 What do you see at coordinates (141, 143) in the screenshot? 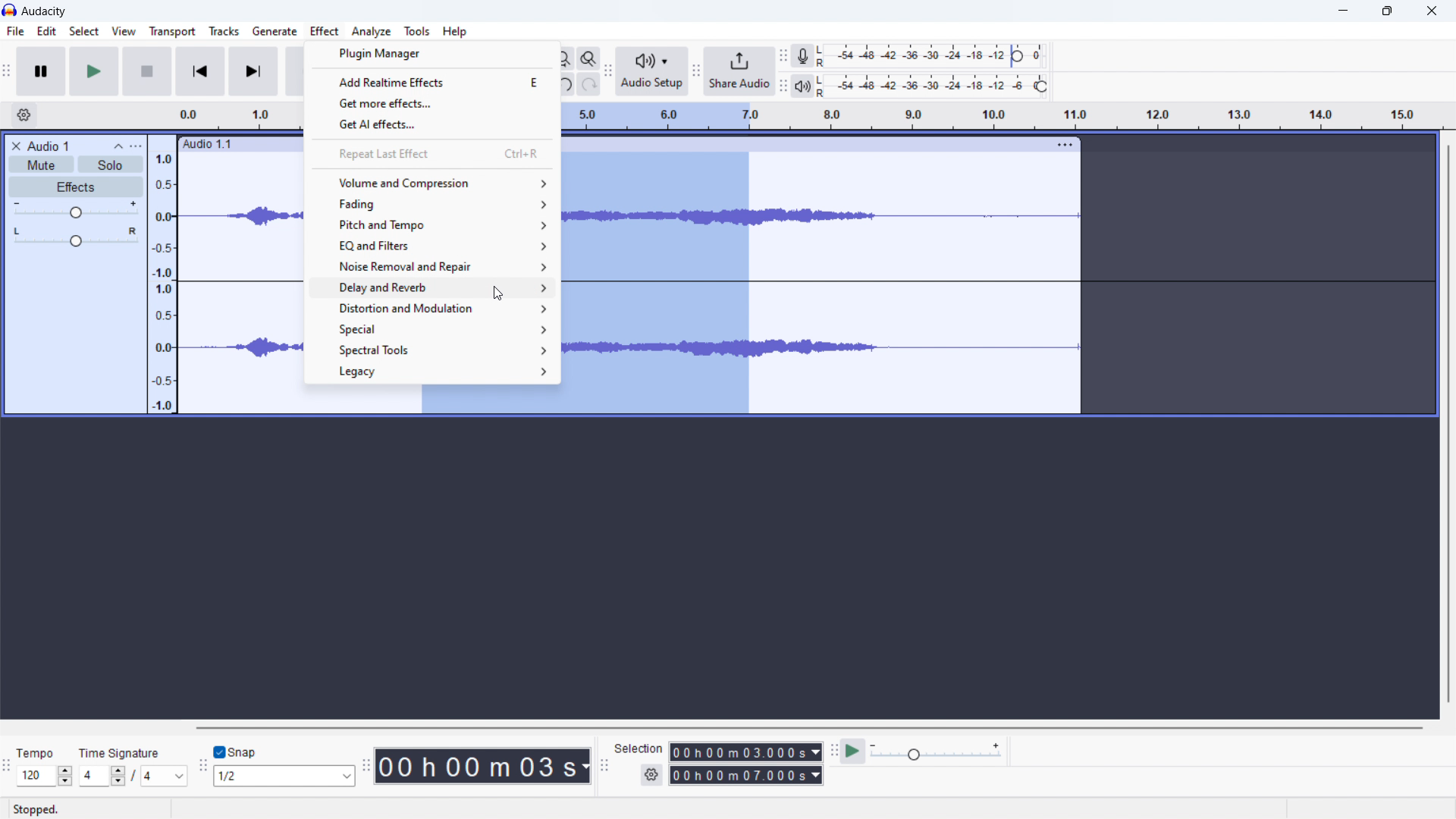
I see `more options` at bounding box center [141, 143].